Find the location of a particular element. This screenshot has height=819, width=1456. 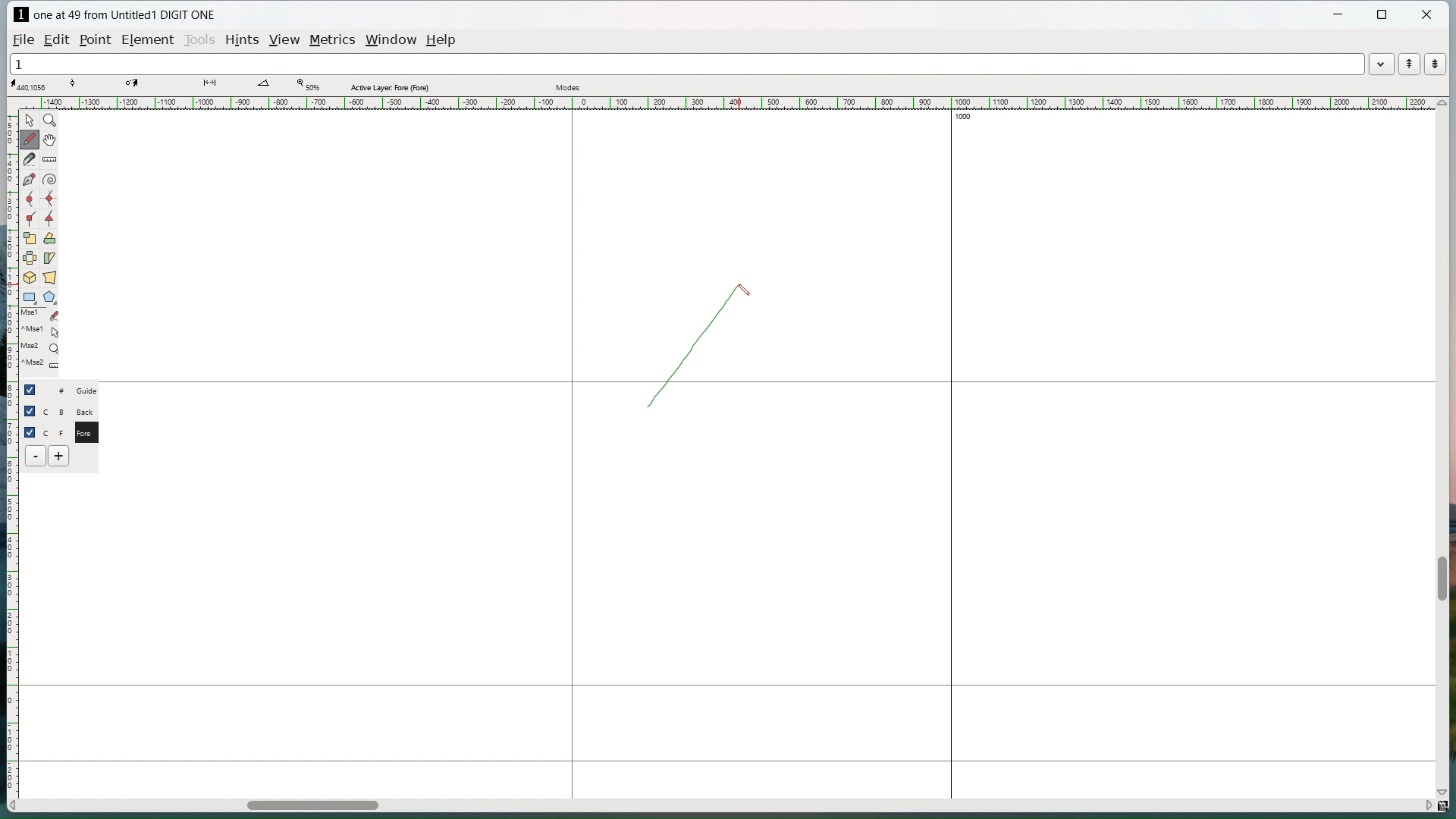

add a tangent point is located at coordinates (49, 218).